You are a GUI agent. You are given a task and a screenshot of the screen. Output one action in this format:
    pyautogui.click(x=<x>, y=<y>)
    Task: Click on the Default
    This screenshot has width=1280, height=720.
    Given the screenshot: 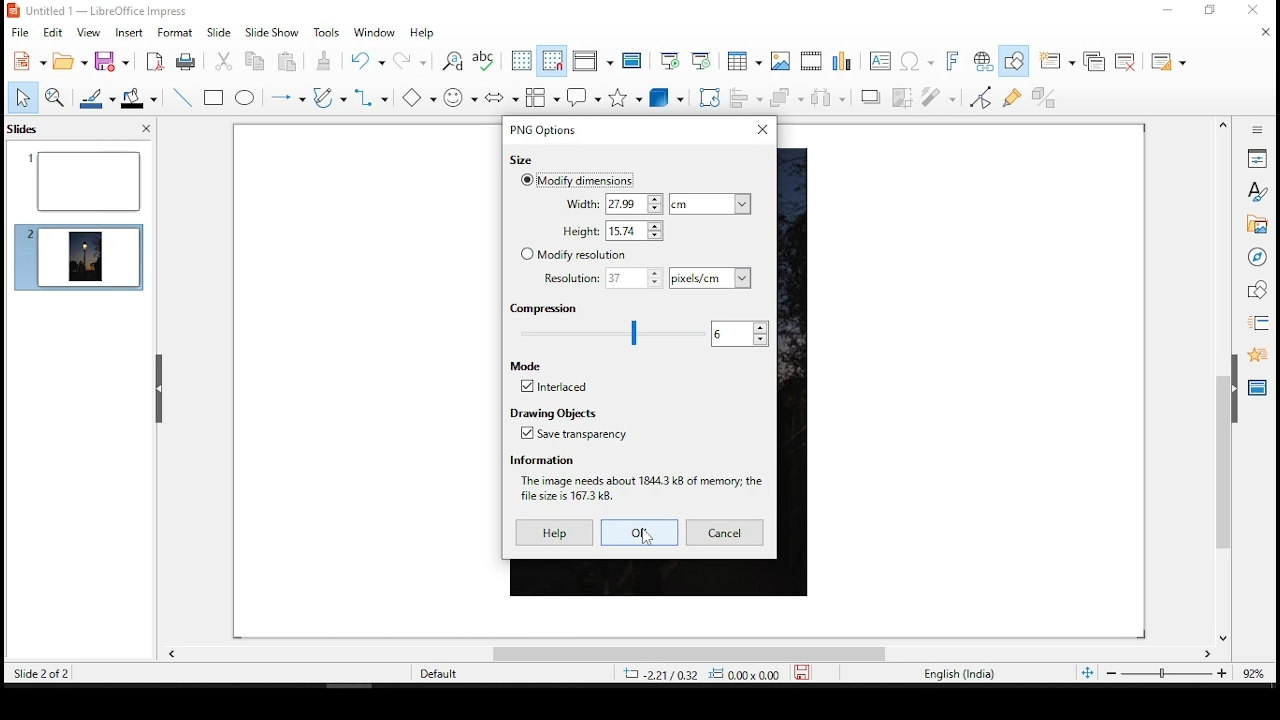 What is the action you would take?
    pyautogui.click(x=439, y=673)
    